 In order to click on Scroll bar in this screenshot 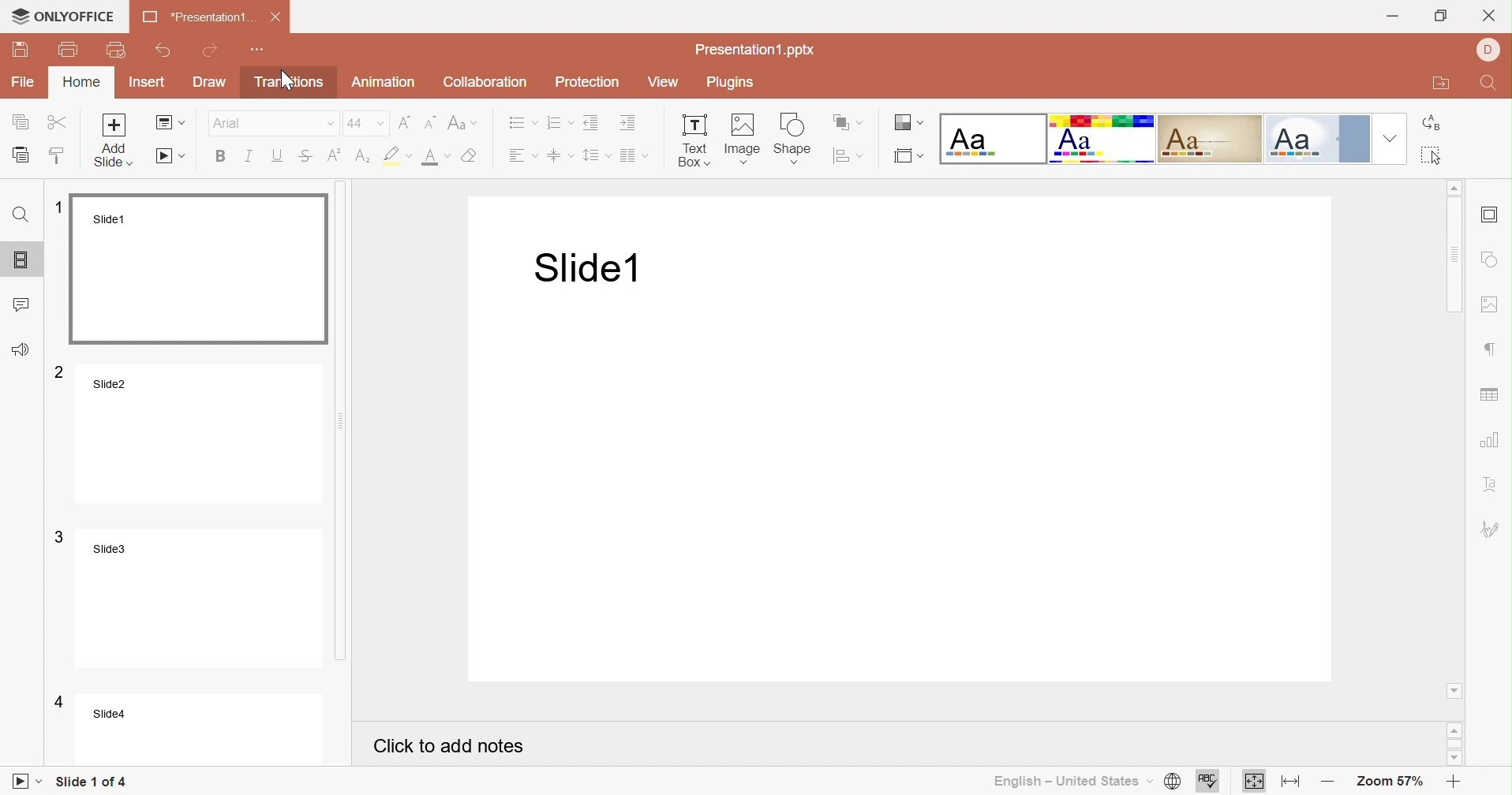, I will do `click(348, 420)`.